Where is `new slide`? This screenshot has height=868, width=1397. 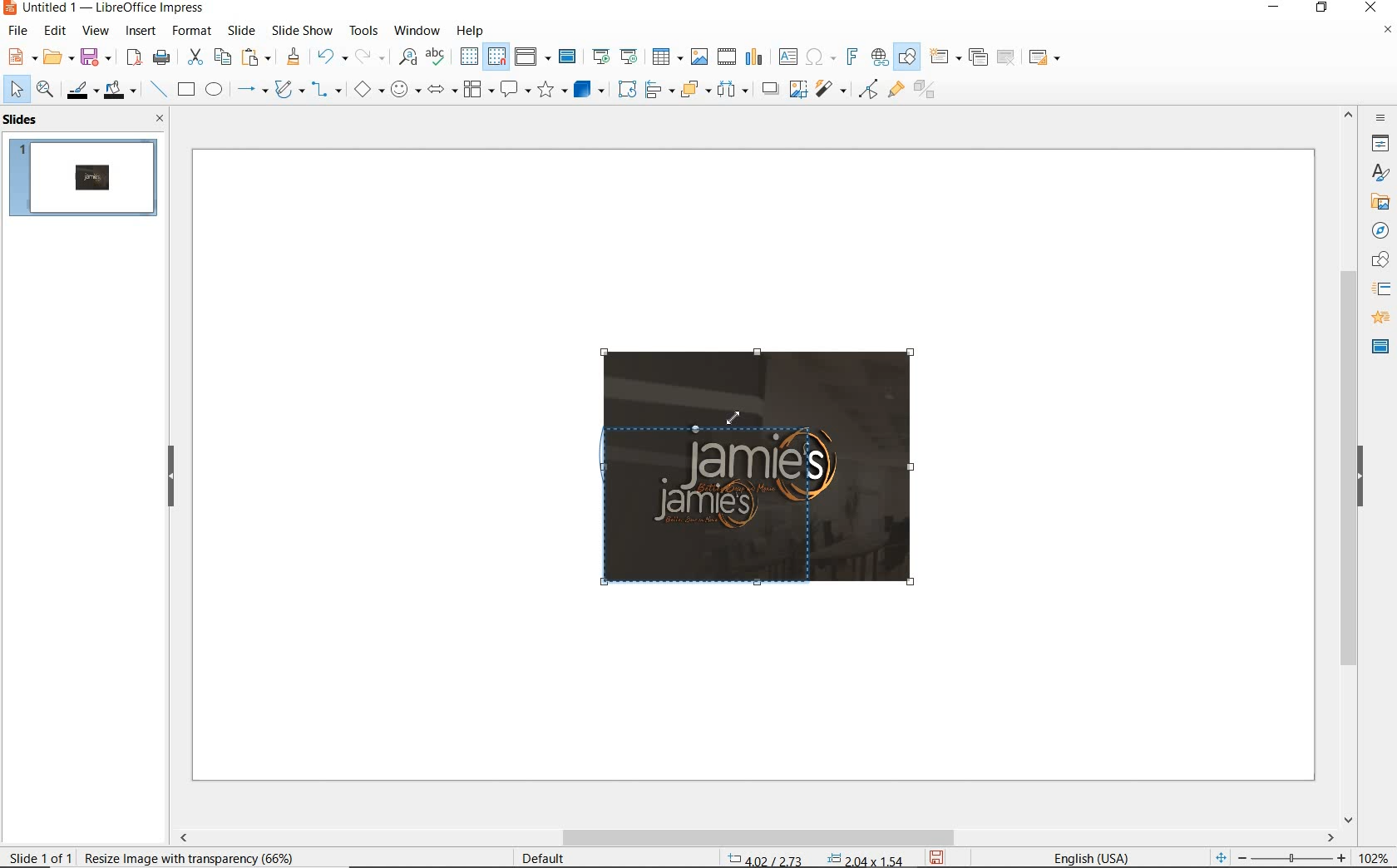
new slide is located at coordinates (945, 57).